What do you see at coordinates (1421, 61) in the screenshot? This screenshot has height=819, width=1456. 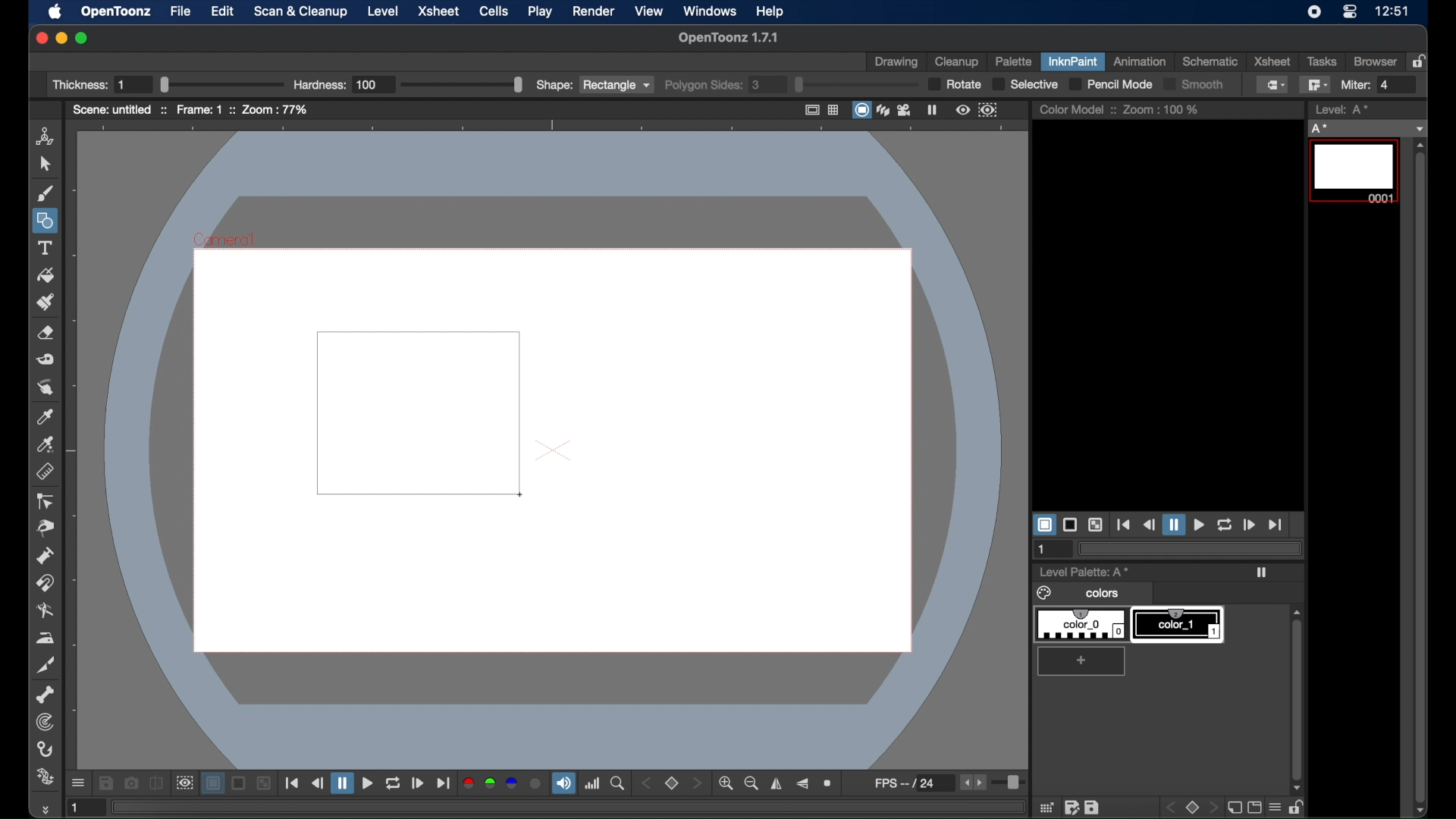 I see `lock rooms table` at bounding box center [1421, 61].